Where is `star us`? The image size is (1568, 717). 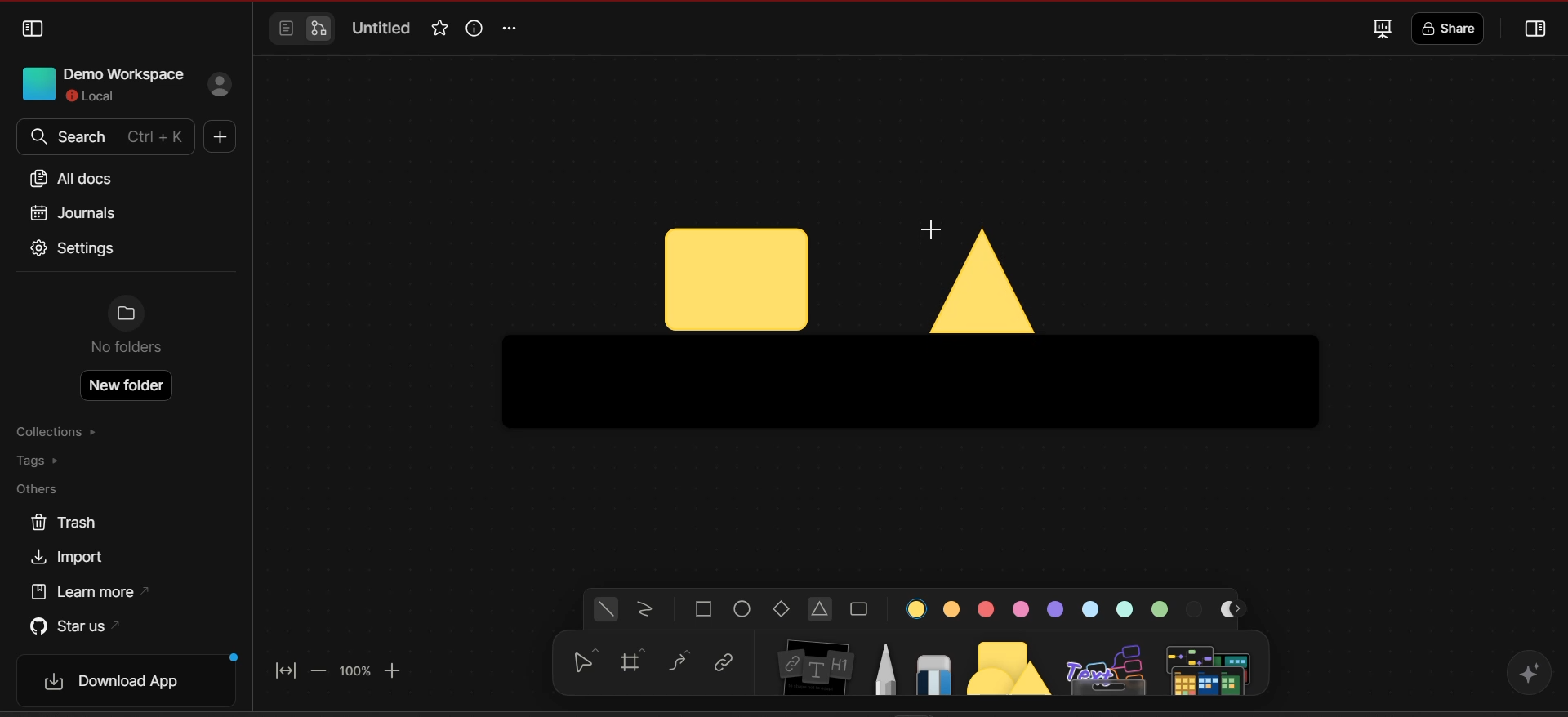
star us is located at coordinates (73, 625).